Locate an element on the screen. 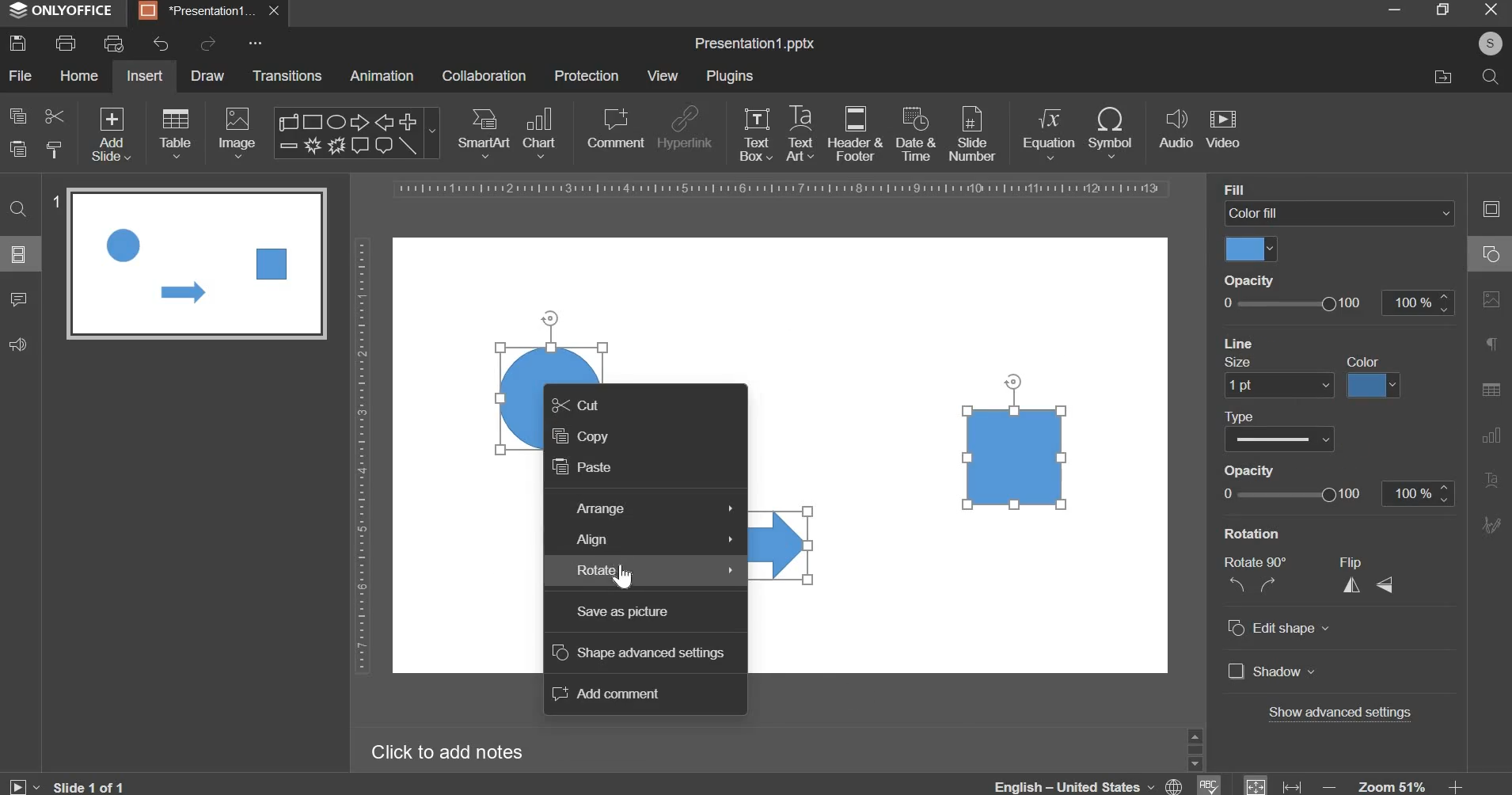 Image resolution: width=1512 pixels, height=795 pixels. maximize is located at coordinates (1442, 9).